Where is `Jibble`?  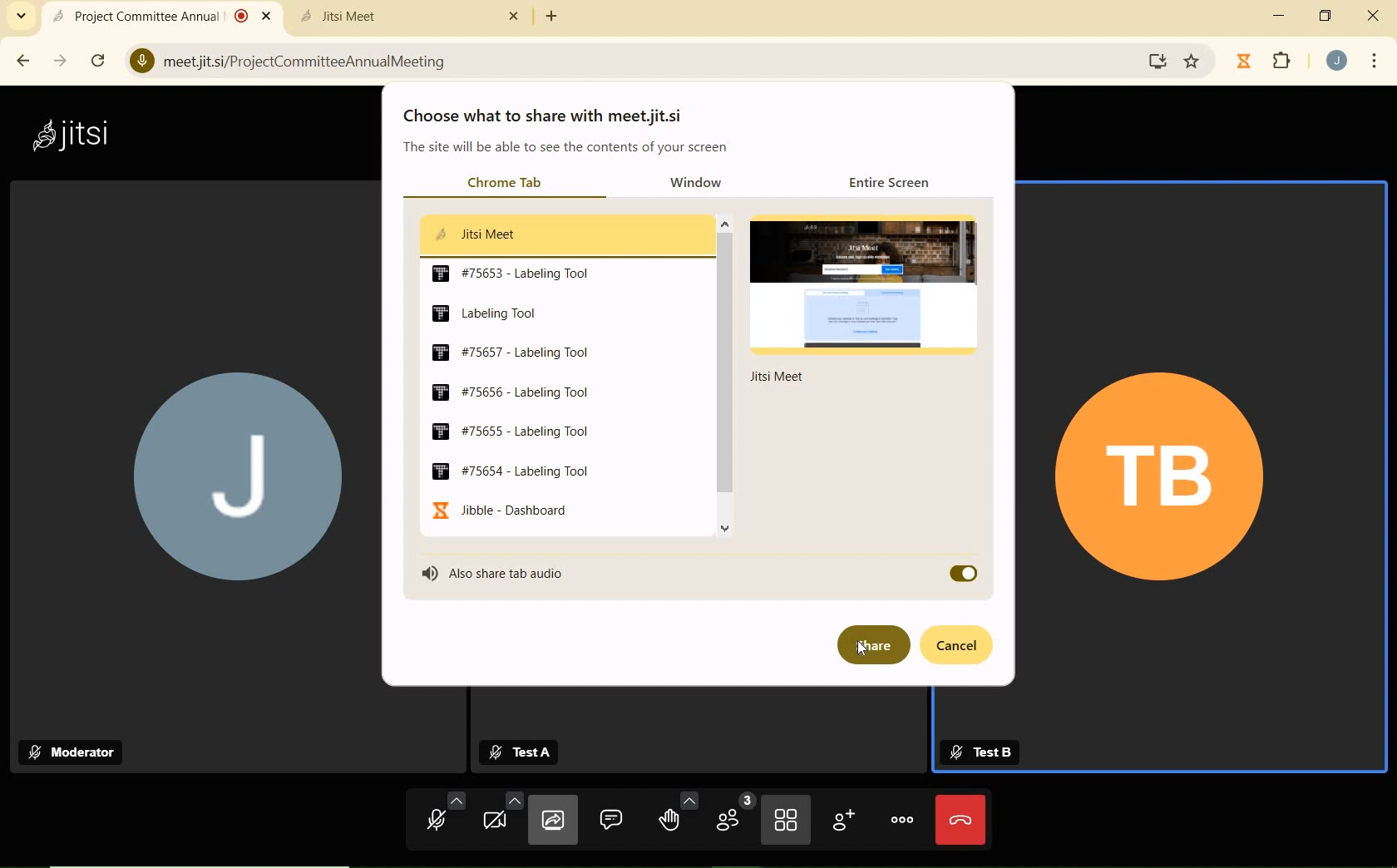 Jibble is located at coordinates (1244, 61).